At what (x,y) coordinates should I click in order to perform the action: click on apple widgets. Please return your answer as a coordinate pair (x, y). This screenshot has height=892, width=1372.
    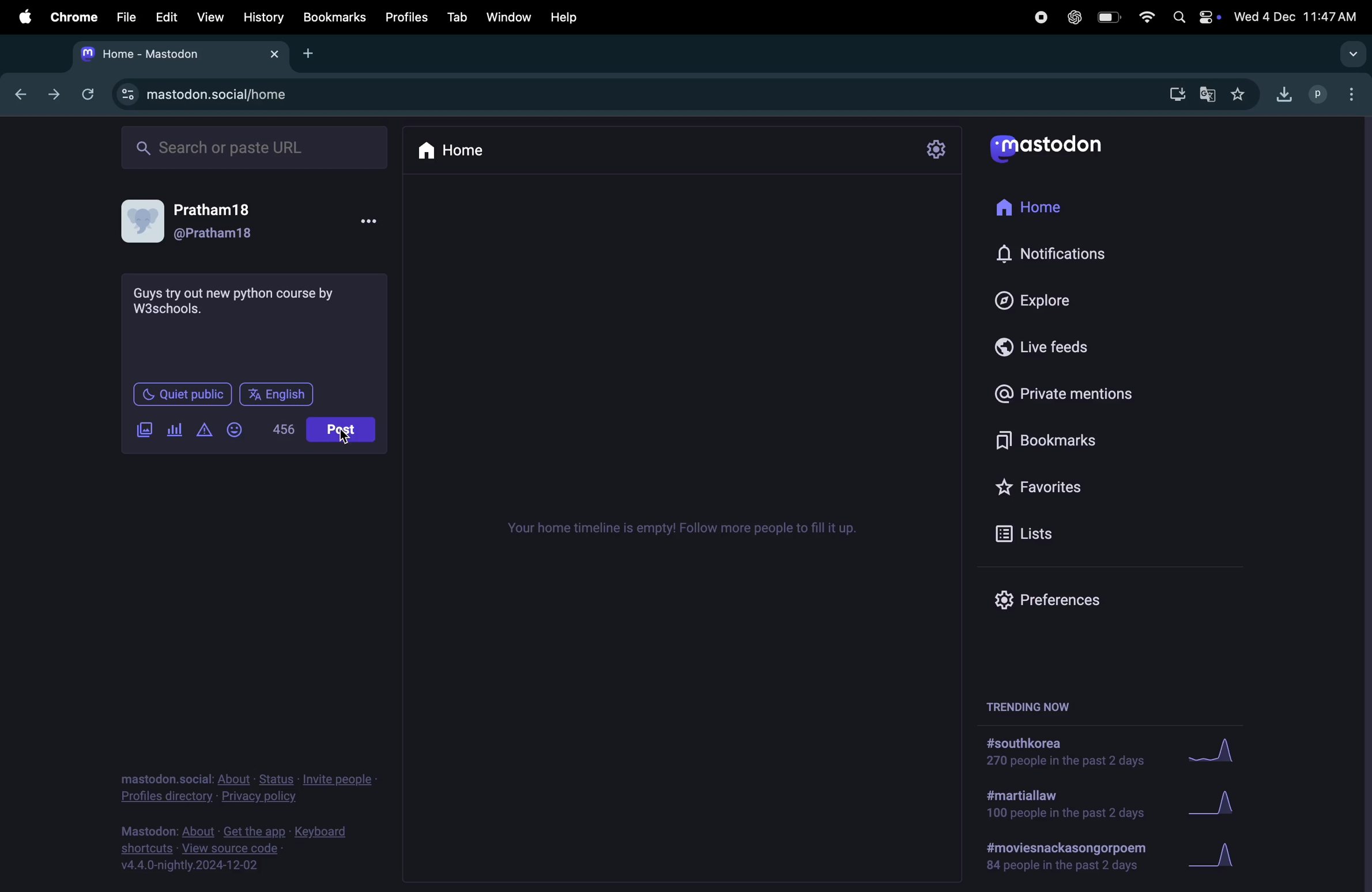
    Looking at the image, I should click on (1193, 16).